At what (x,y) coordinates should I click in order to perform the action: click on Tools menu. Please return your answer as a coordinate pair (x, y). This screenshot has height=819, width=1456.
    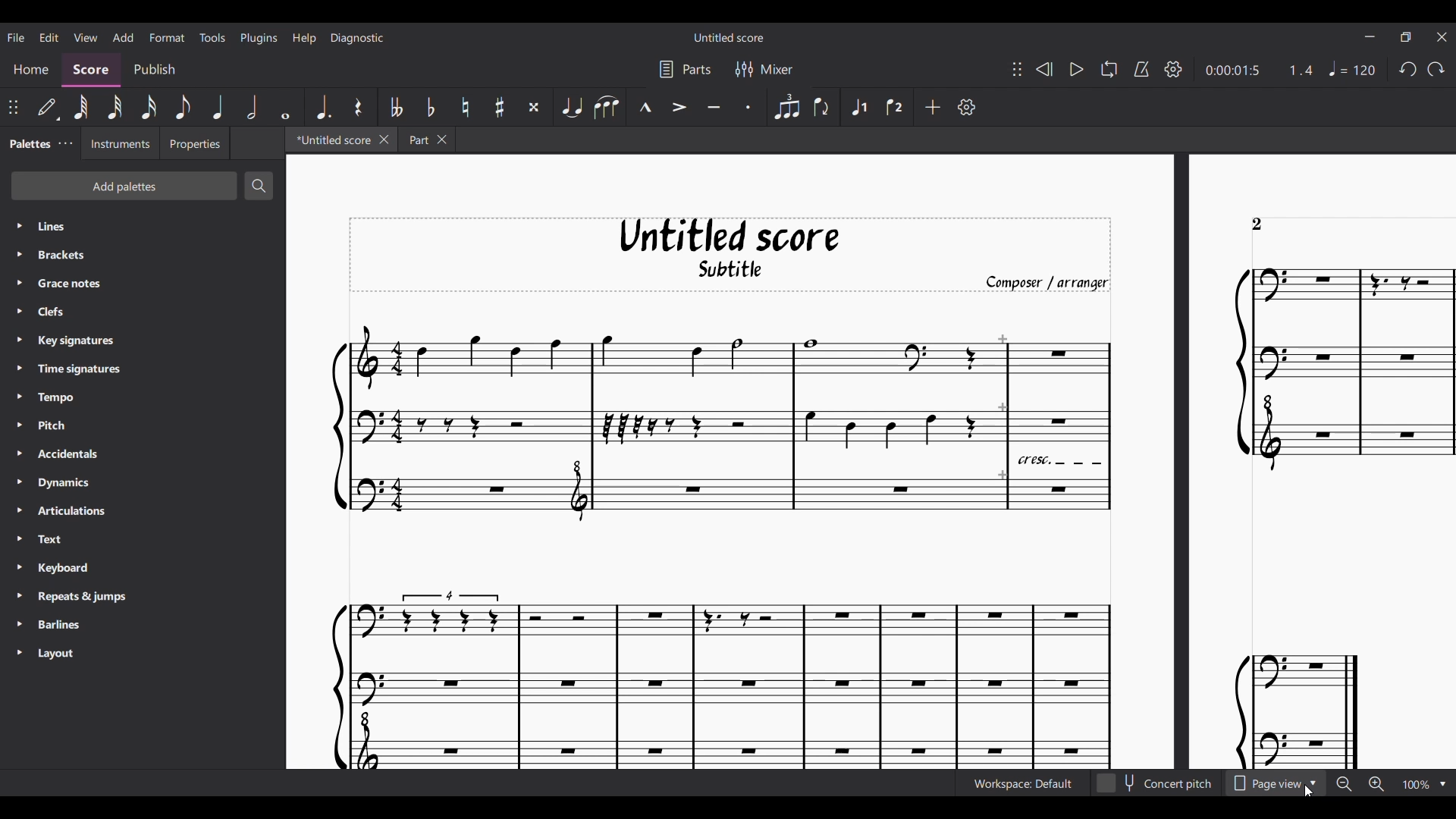
    Looking at the image, I should click on (212, 37).